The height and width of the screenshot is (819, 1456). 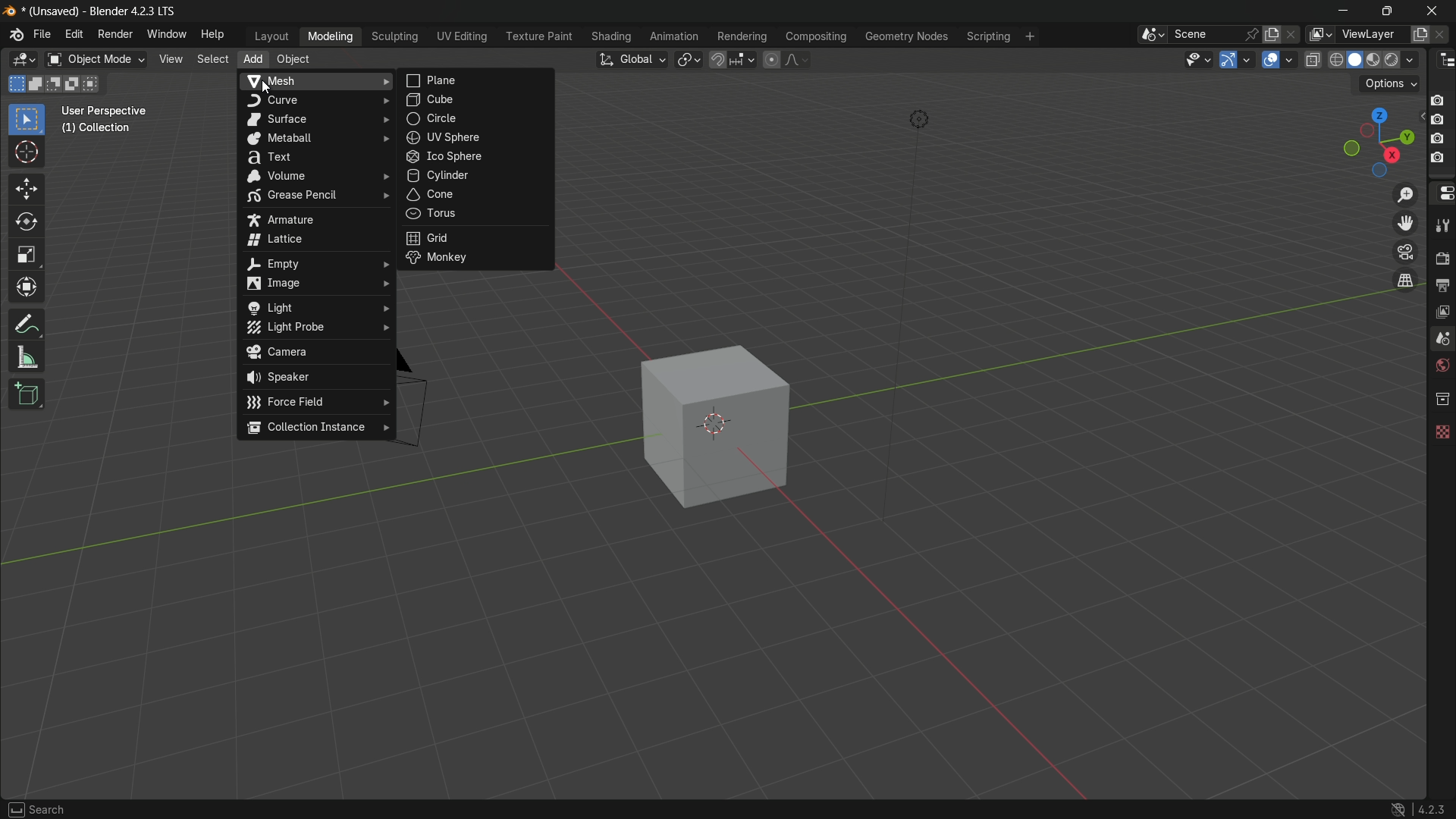 What do you see at coordinates (1389, 83) in the screenshot?
I see `options` at bounding box center [1389, 83].